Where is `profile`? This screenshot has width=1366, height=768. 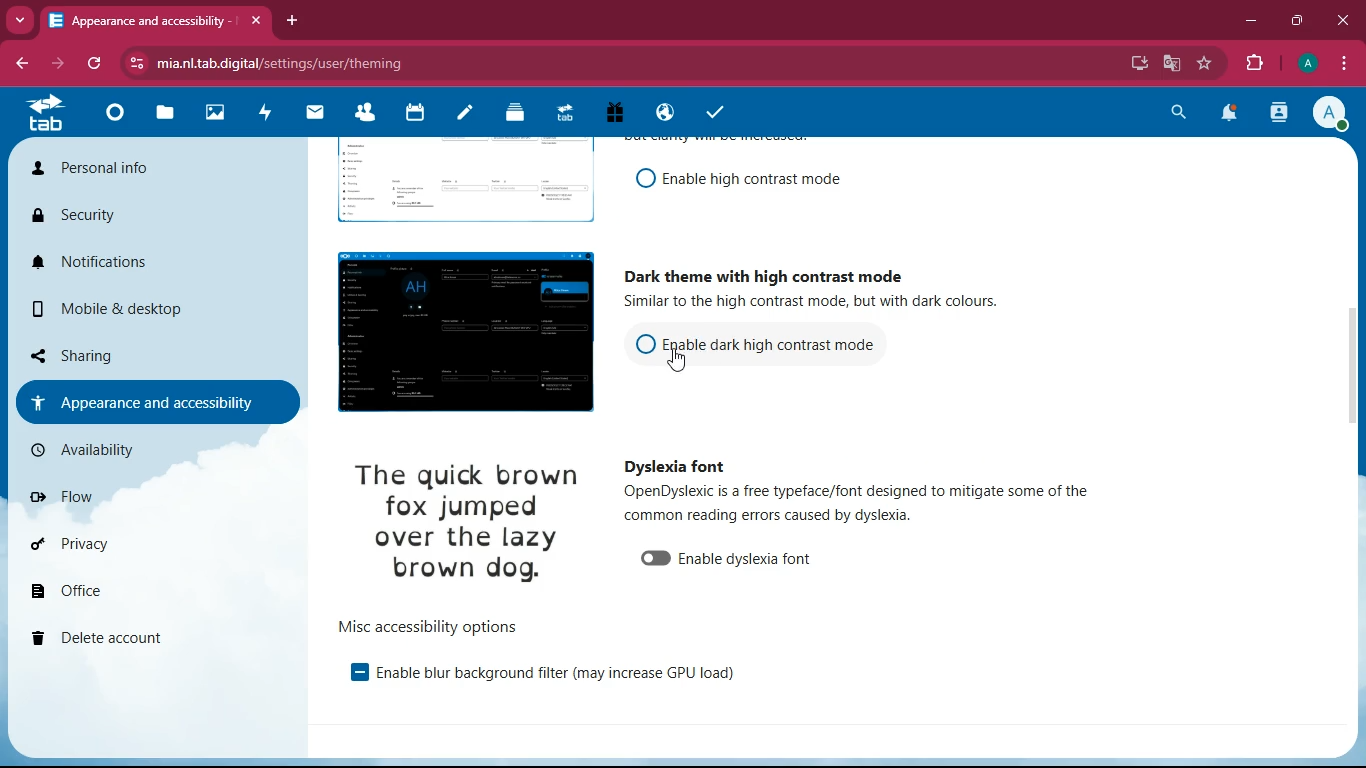
profile is located at coordinates (1305, 65).